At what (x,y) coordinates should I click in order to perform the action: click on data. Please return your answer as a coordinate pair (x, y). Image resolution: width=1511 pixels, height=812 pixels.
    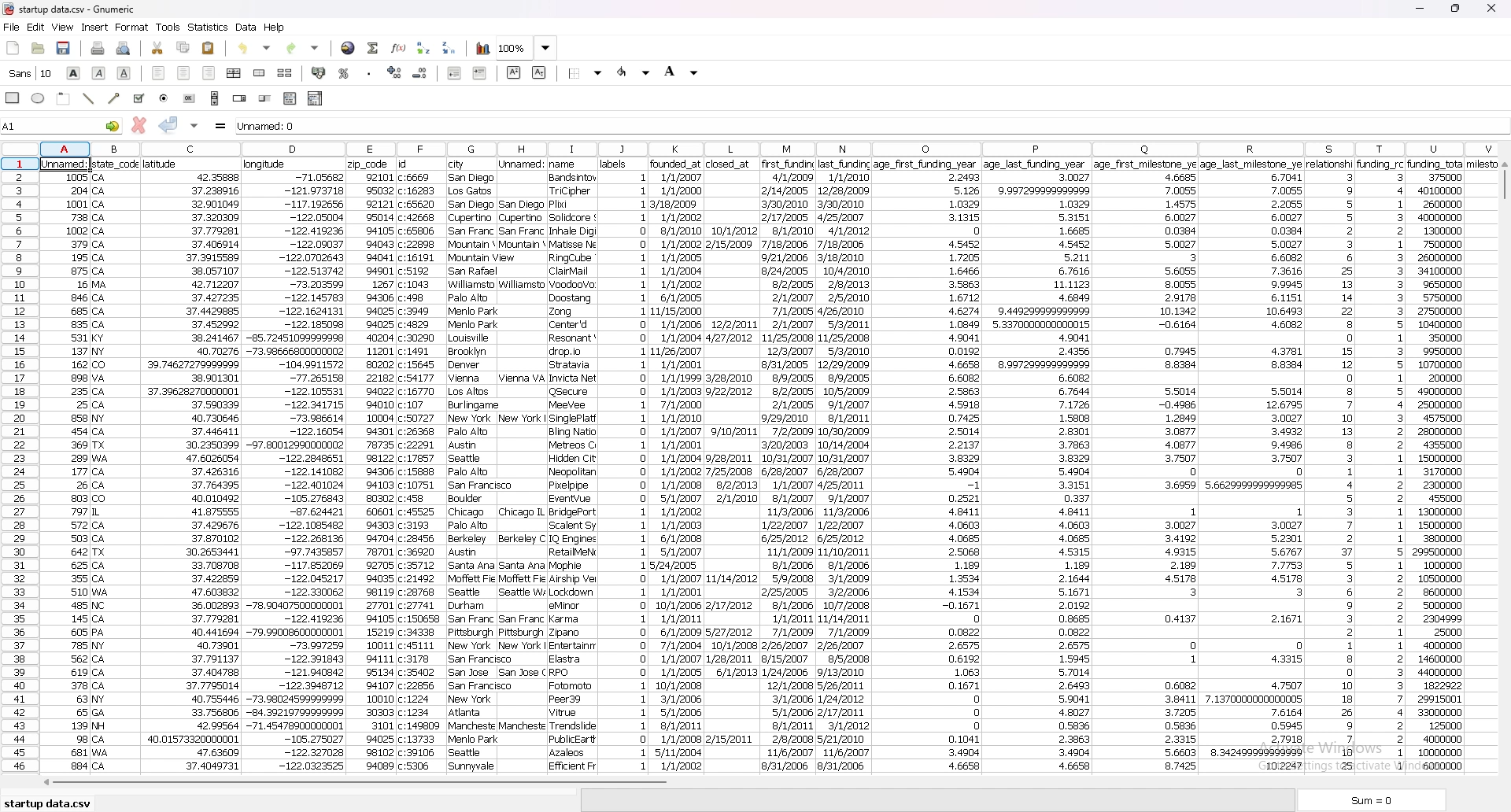
    Looking at the image, I should click on (119, 465).